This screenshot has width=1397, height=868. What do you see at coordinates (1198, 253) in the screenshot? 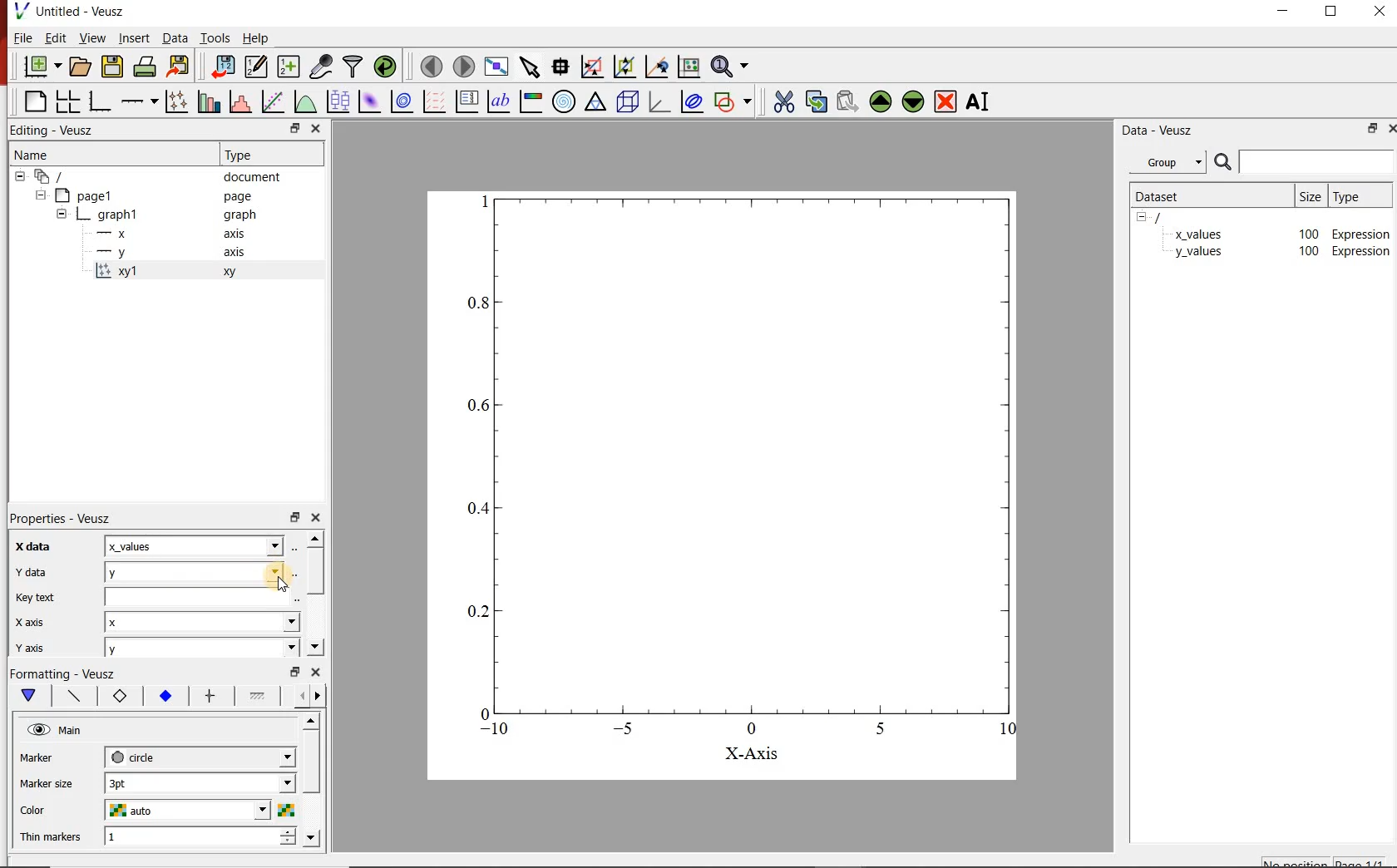
I see `y_values` at bounding box center [1198, 253].